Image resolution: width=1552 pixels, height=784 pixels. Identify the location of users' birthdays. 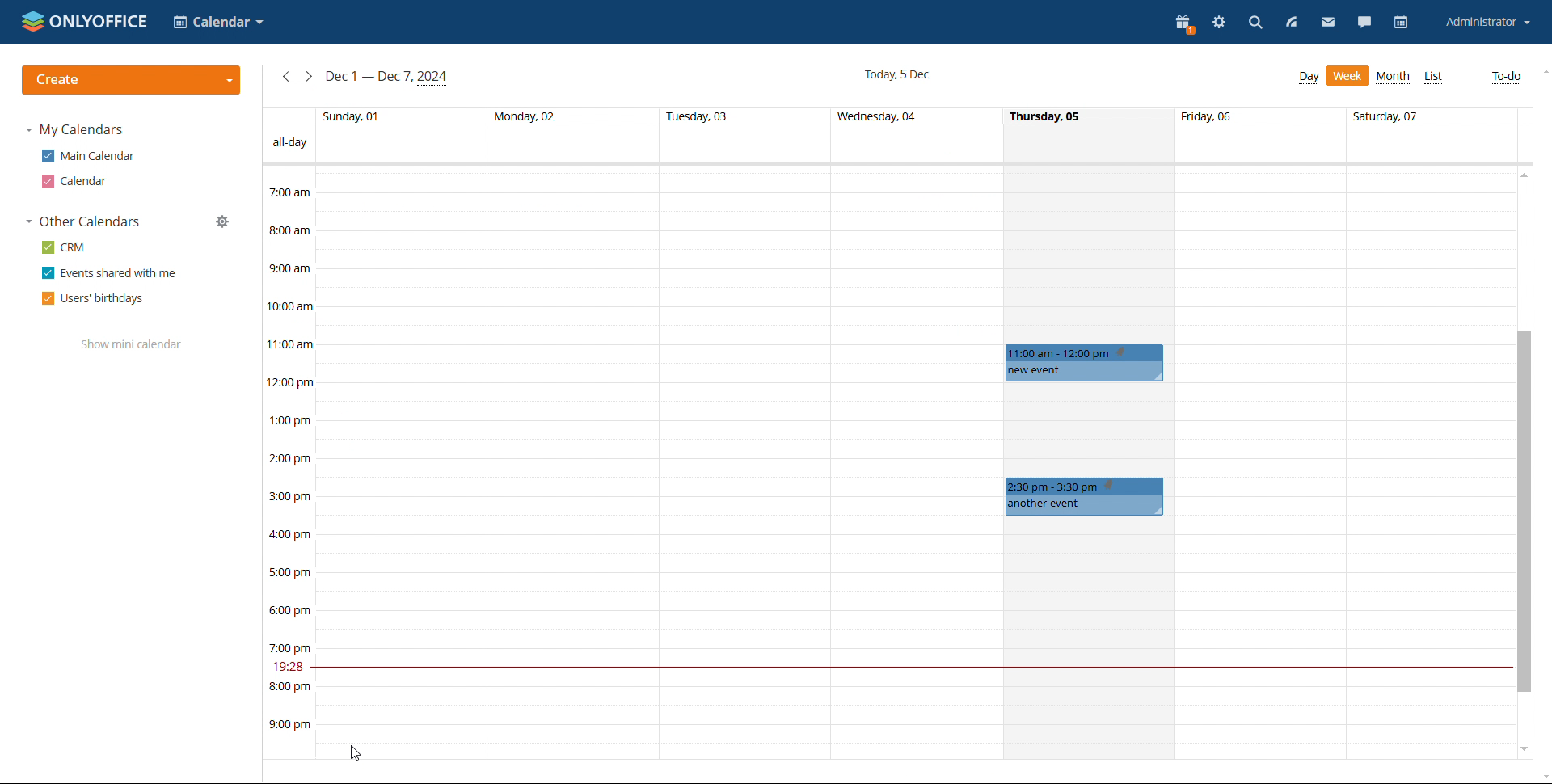
(93, 299).